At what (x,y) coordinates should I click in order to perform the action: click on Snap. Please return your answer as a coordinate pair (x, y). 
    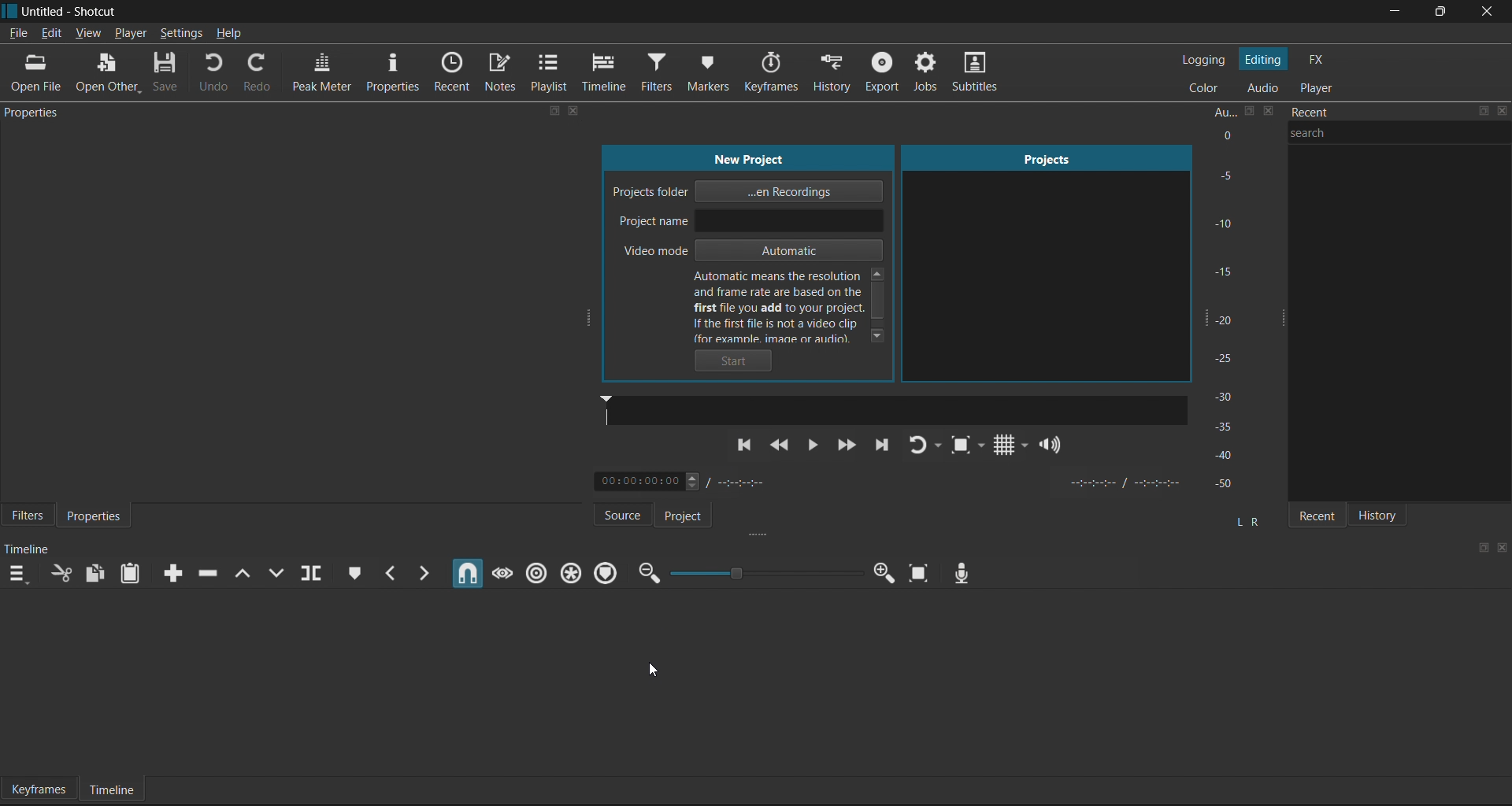
    Looking at the image, I should click on (465, 574).